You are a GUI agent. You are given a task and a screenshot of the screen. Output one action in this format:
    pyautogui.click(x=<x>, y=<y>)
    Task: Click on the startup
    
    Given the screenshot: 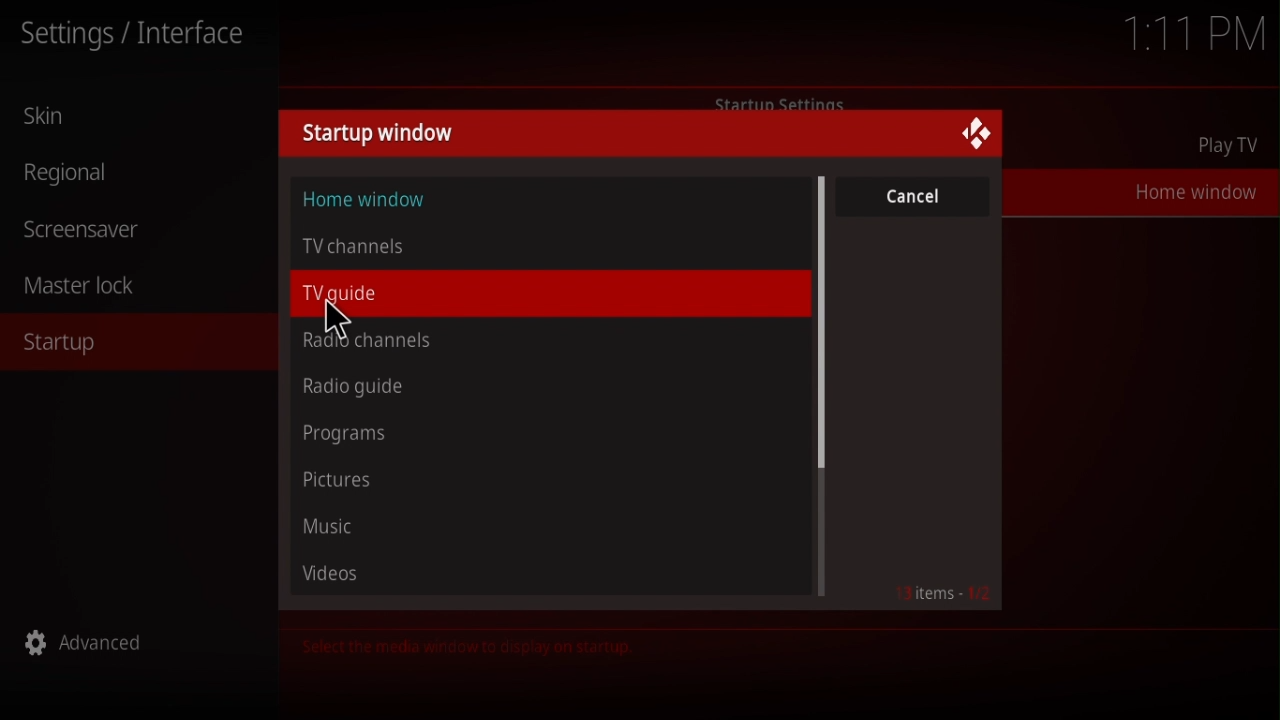 What is the action you would take?
    pyautogui.click(x=64, y=344)
    